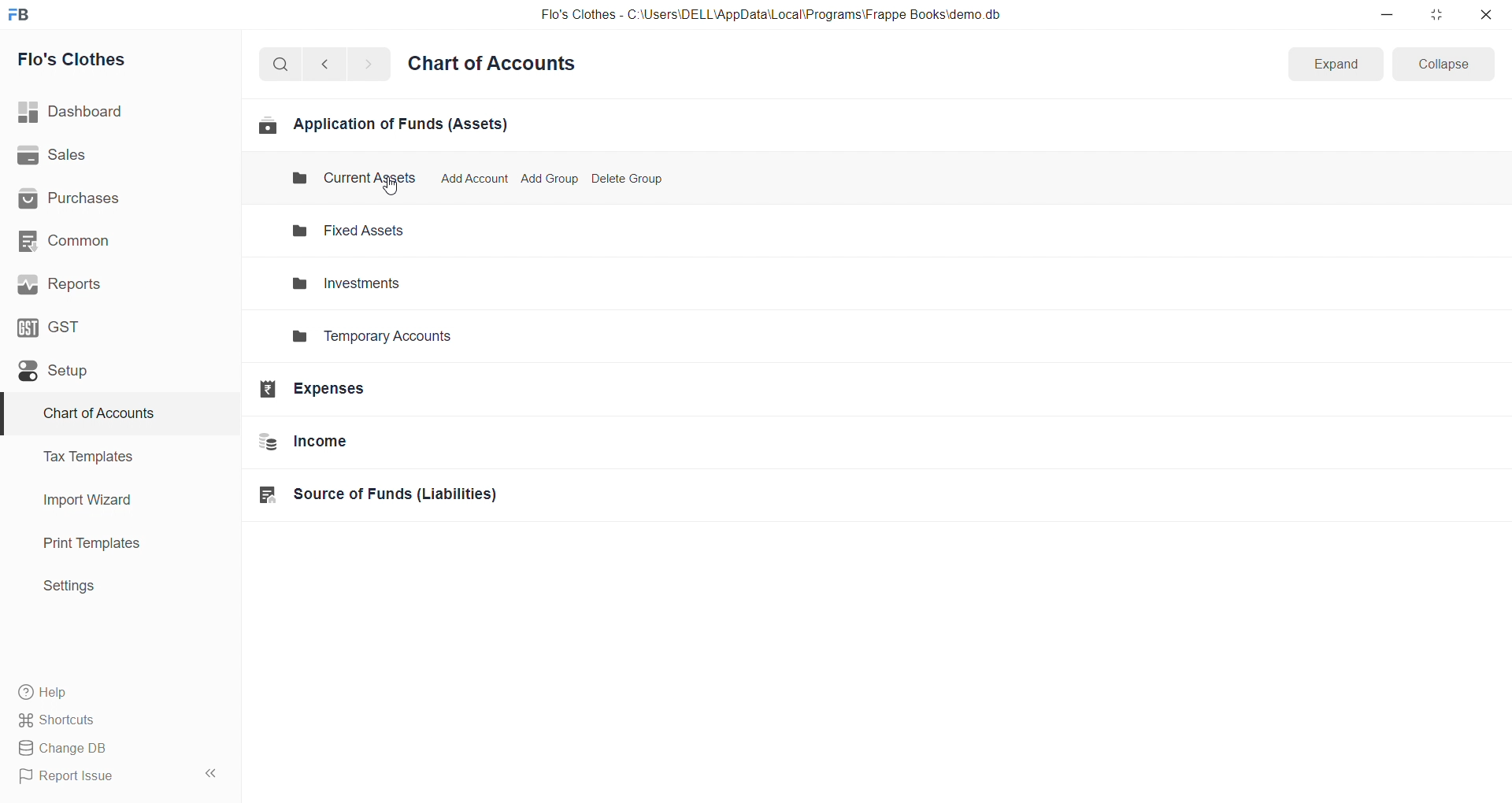 The width and height of the screenshot is (1512, 803). What do you see at coordinates (110, 414) in the screenshot?
I see `Chart of Accounts` at bounding box center [110, 414].